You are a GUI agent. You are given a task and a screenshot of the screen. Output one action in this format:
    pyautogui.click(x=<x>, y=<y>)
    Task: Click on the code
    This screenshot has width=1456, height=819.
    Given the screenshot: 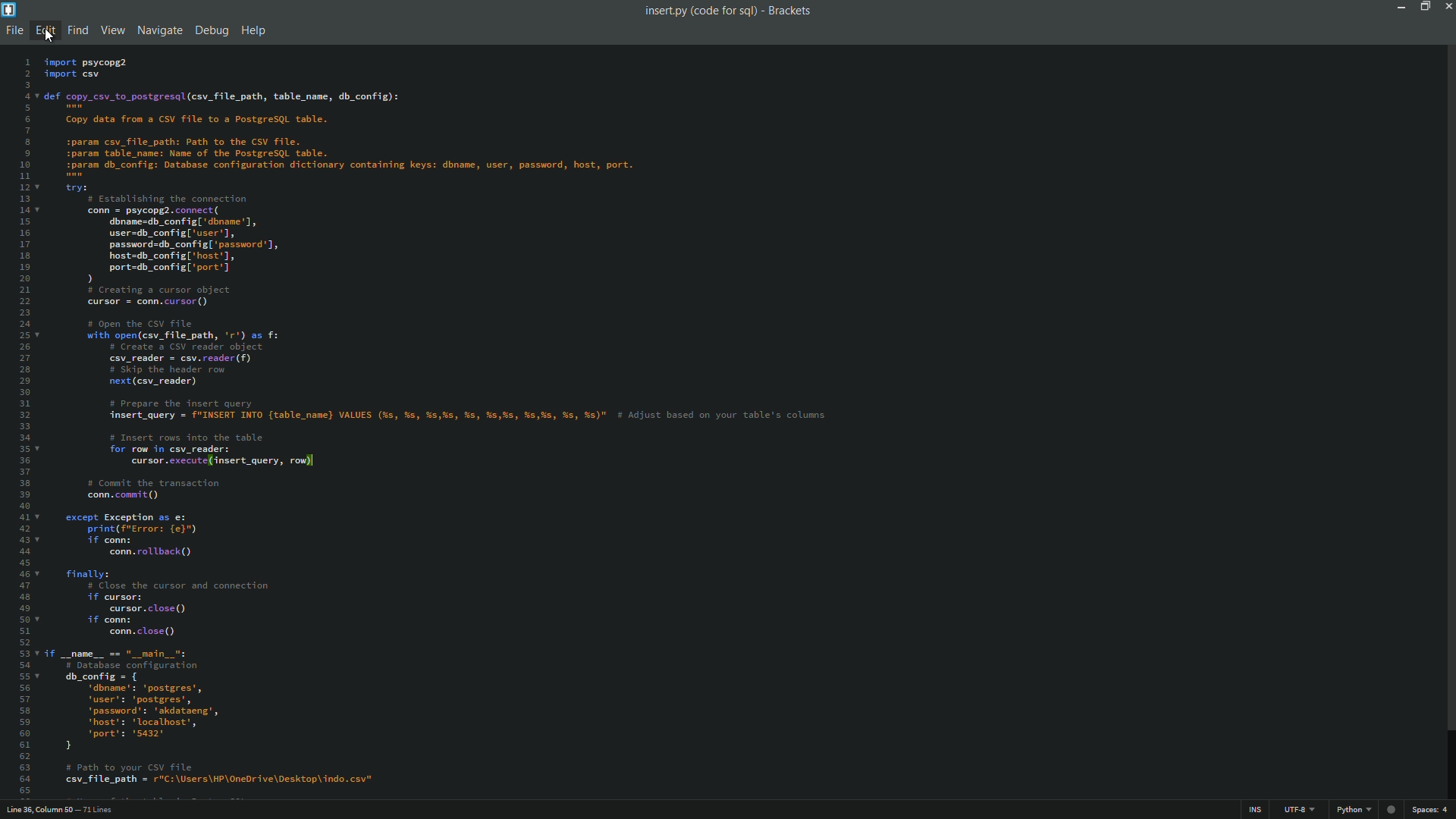 What is the action you would take?
    pyautogui.click(x=475, y=426)
    